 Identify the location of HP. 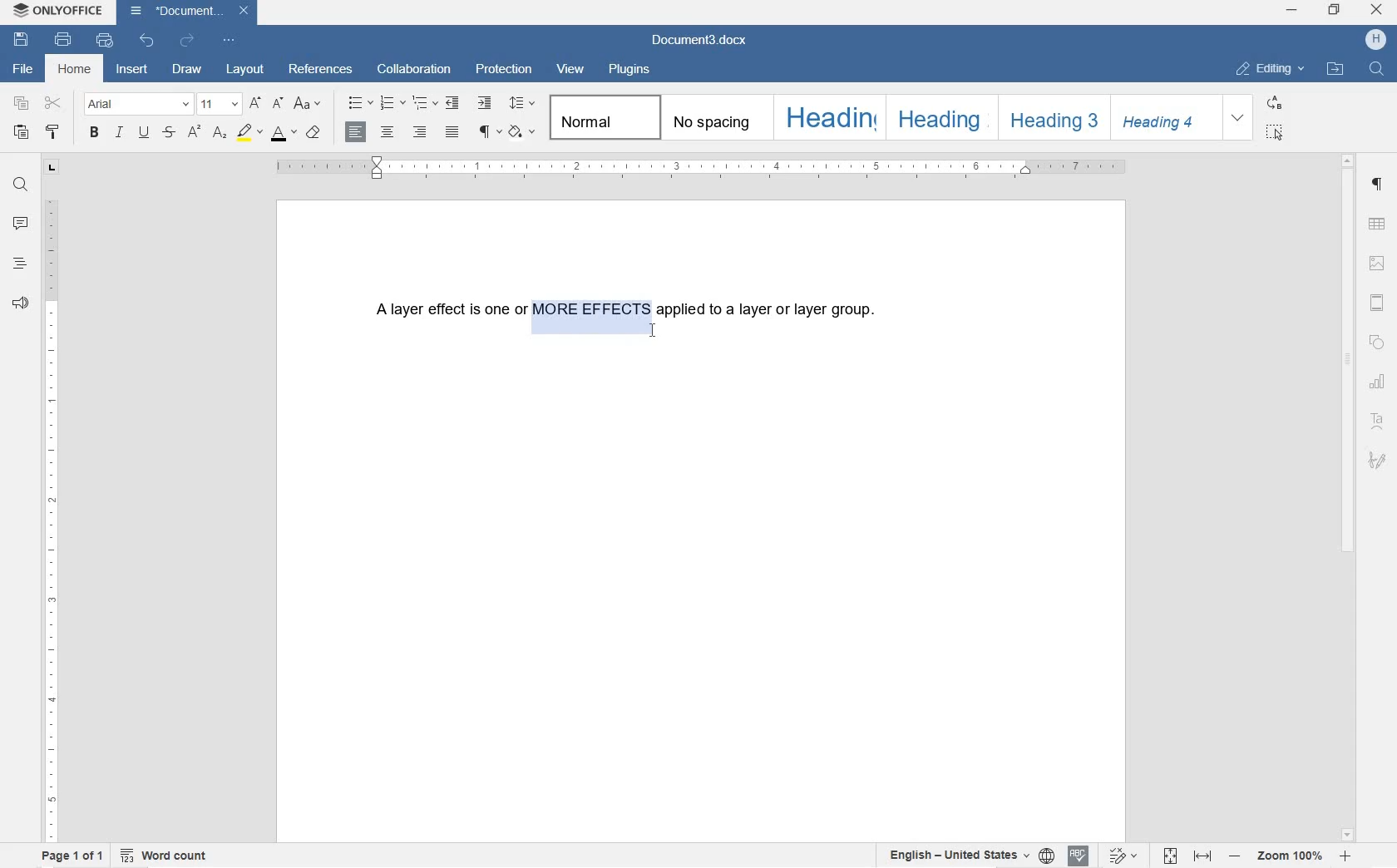
(1378, 40).